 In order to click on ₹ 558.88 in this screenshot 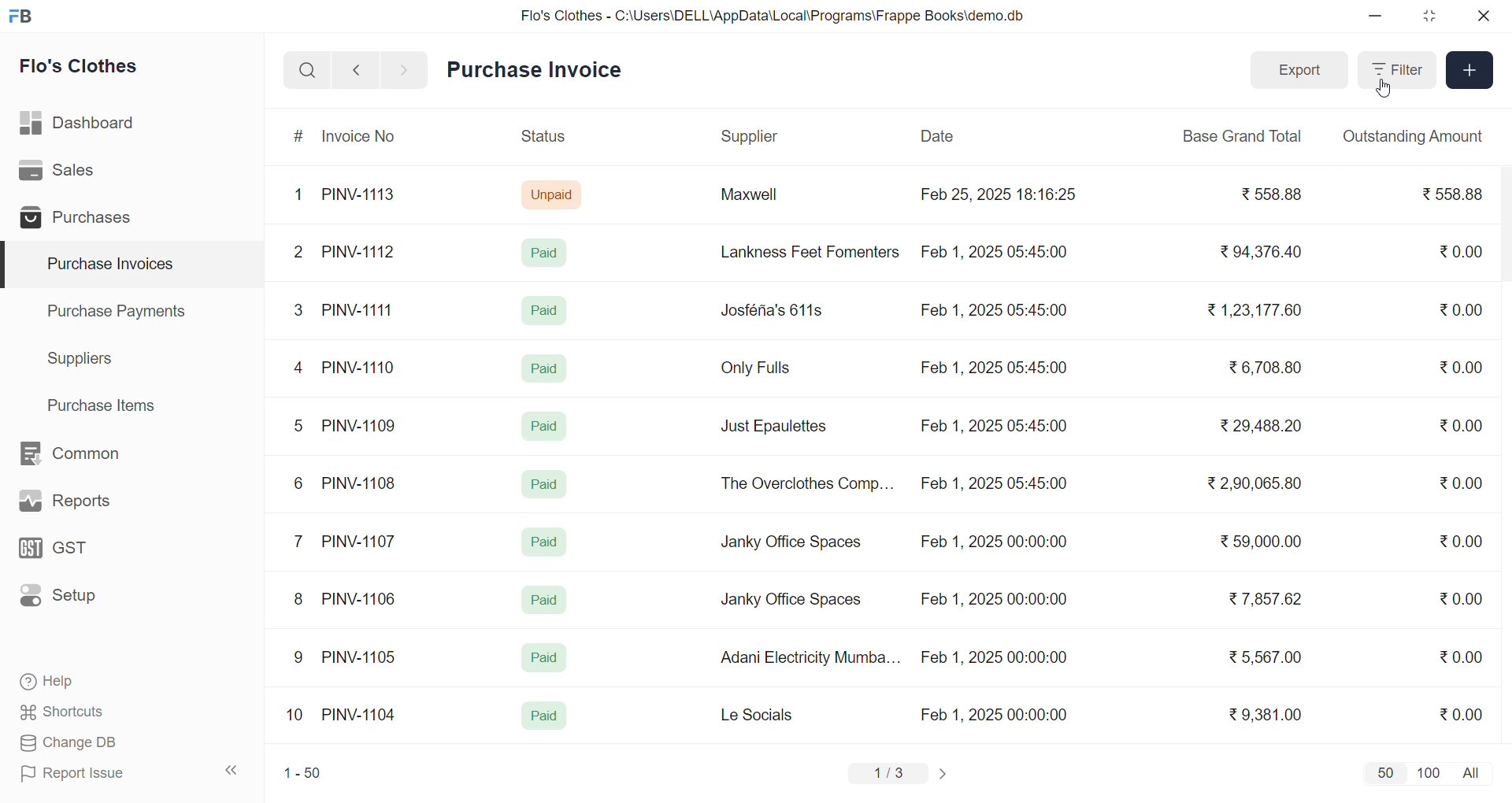, I will do `click(1267, 194)`.